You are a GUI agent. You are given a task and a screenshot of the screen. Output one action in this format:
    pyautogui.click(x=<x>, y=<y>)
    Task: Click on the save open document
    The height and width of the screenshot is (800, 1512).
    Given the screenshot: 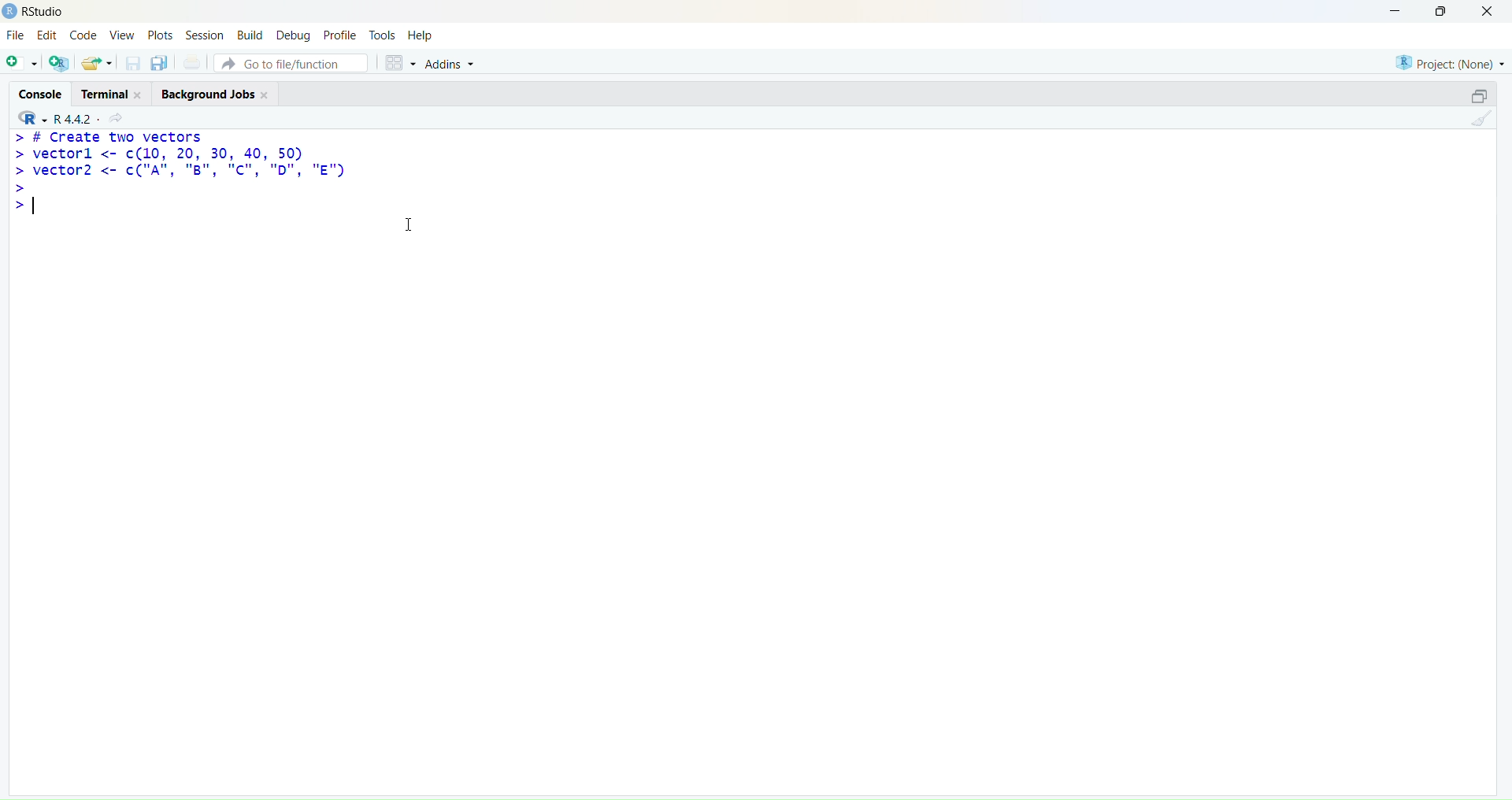 What is the action you would take?
    pyautogui.click(x=132, y=65)
    